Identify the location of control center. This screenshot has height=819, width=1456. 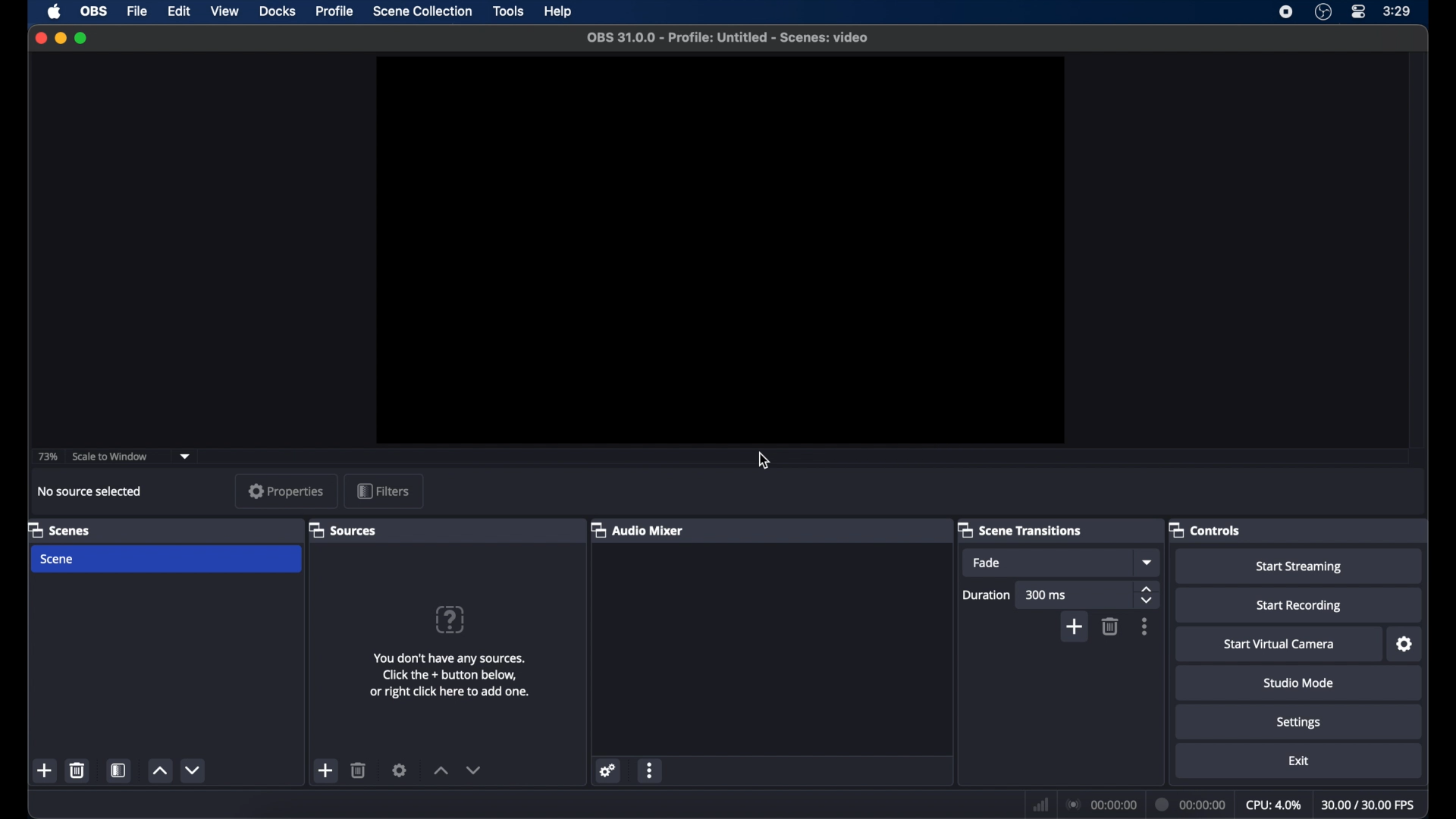
(1359, 11).